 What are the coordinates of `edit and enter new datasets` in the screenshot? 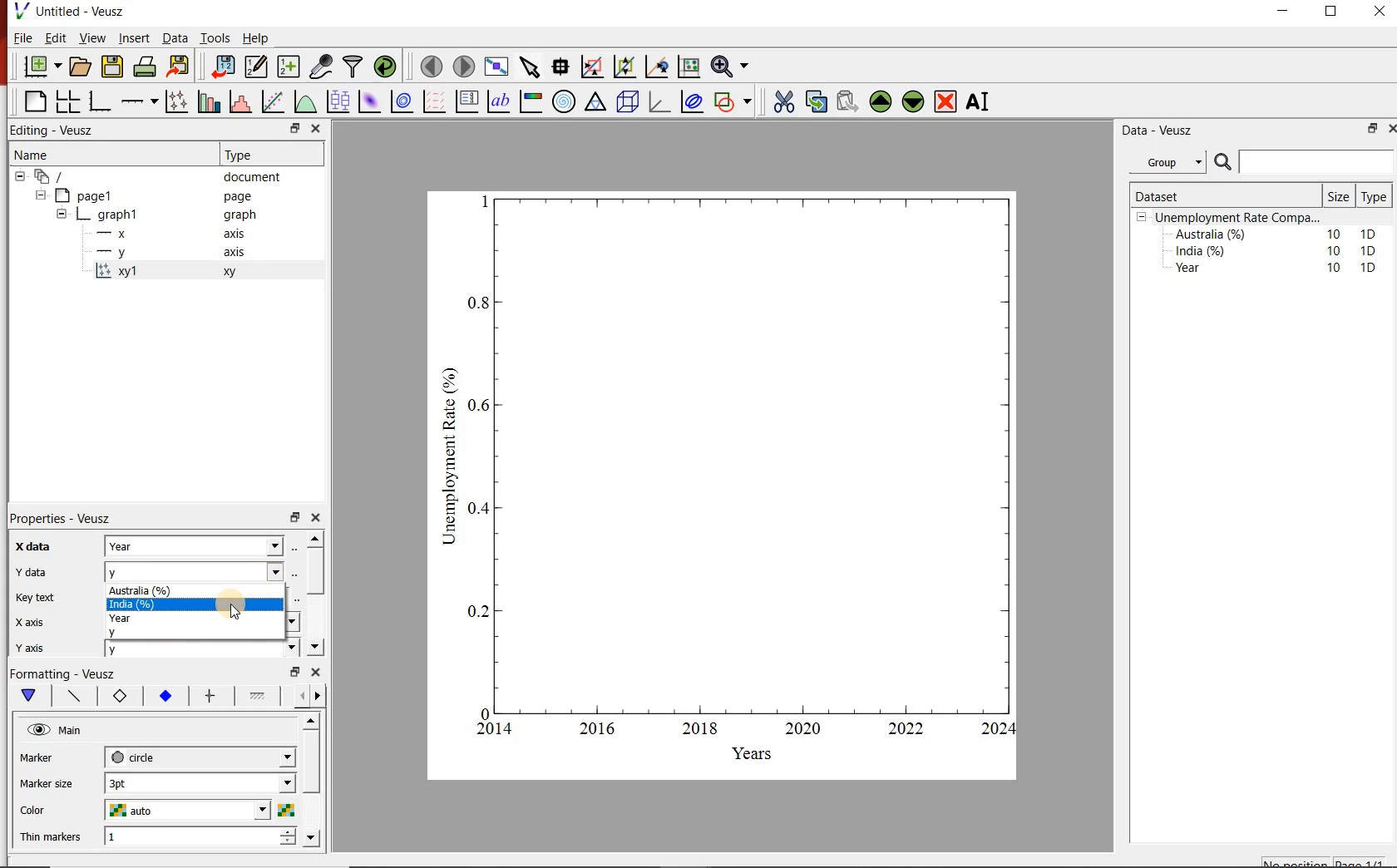 It's located at (258, 65).